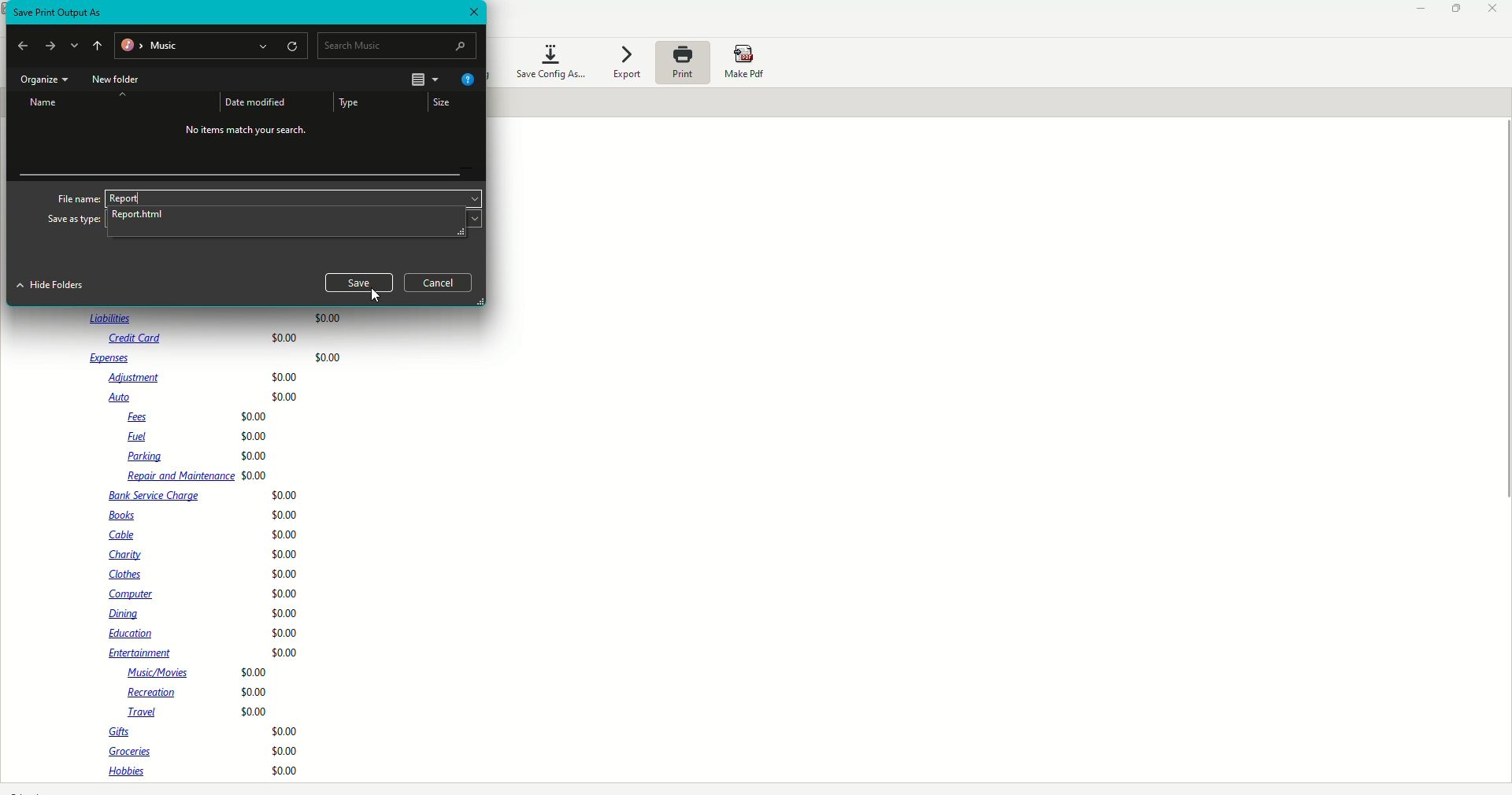  What do you see at coordinates (1493, 10) in the screenshot?
I see `Close` at bounding box center [1493, 10].